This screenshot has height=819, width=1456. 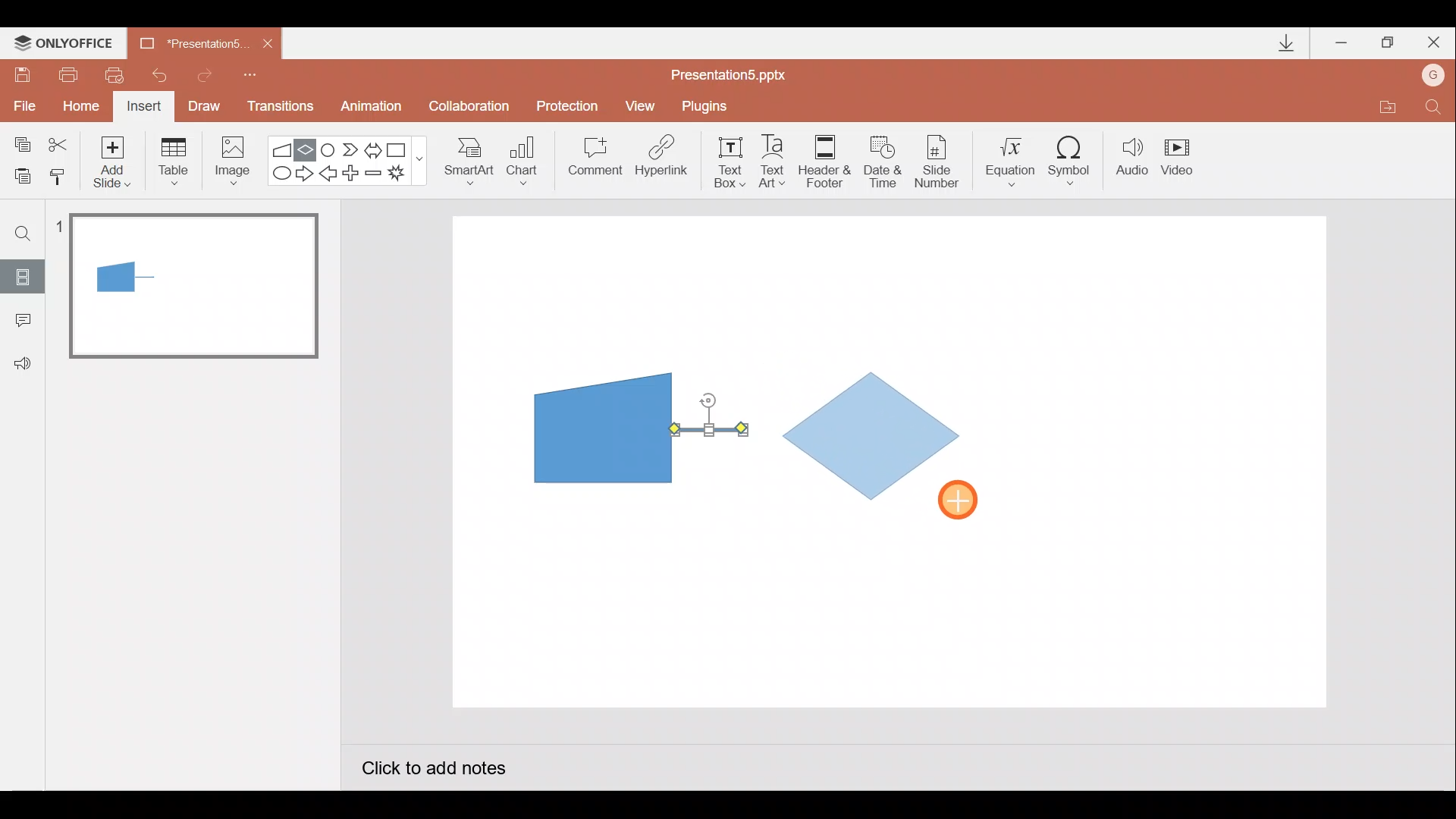 I want to click on Flowchart-connector, so click(x=329, y=149).